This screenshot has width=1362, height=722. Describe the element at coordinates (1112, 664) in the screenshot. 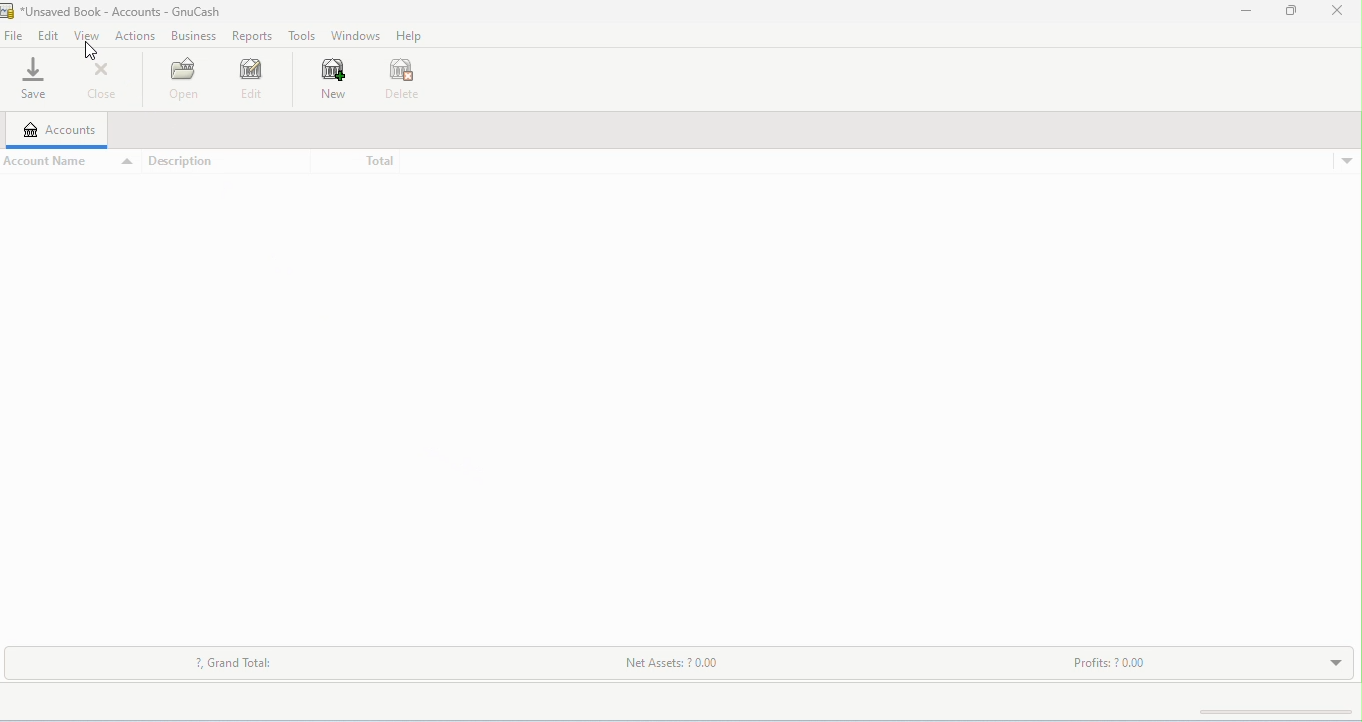

I see `profits` at that location.